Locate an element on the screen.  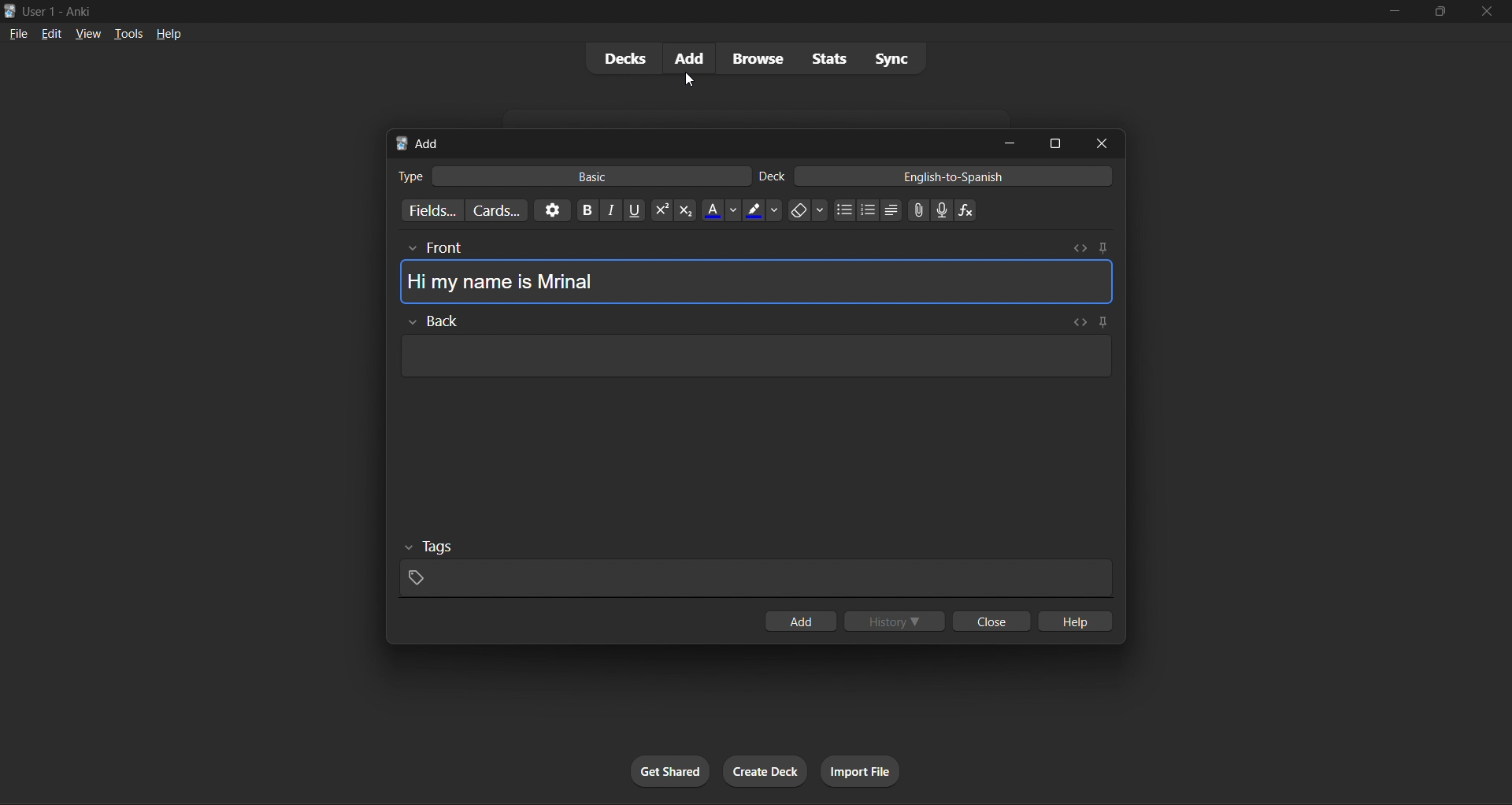
title bar is located at coordinates (663, 9).